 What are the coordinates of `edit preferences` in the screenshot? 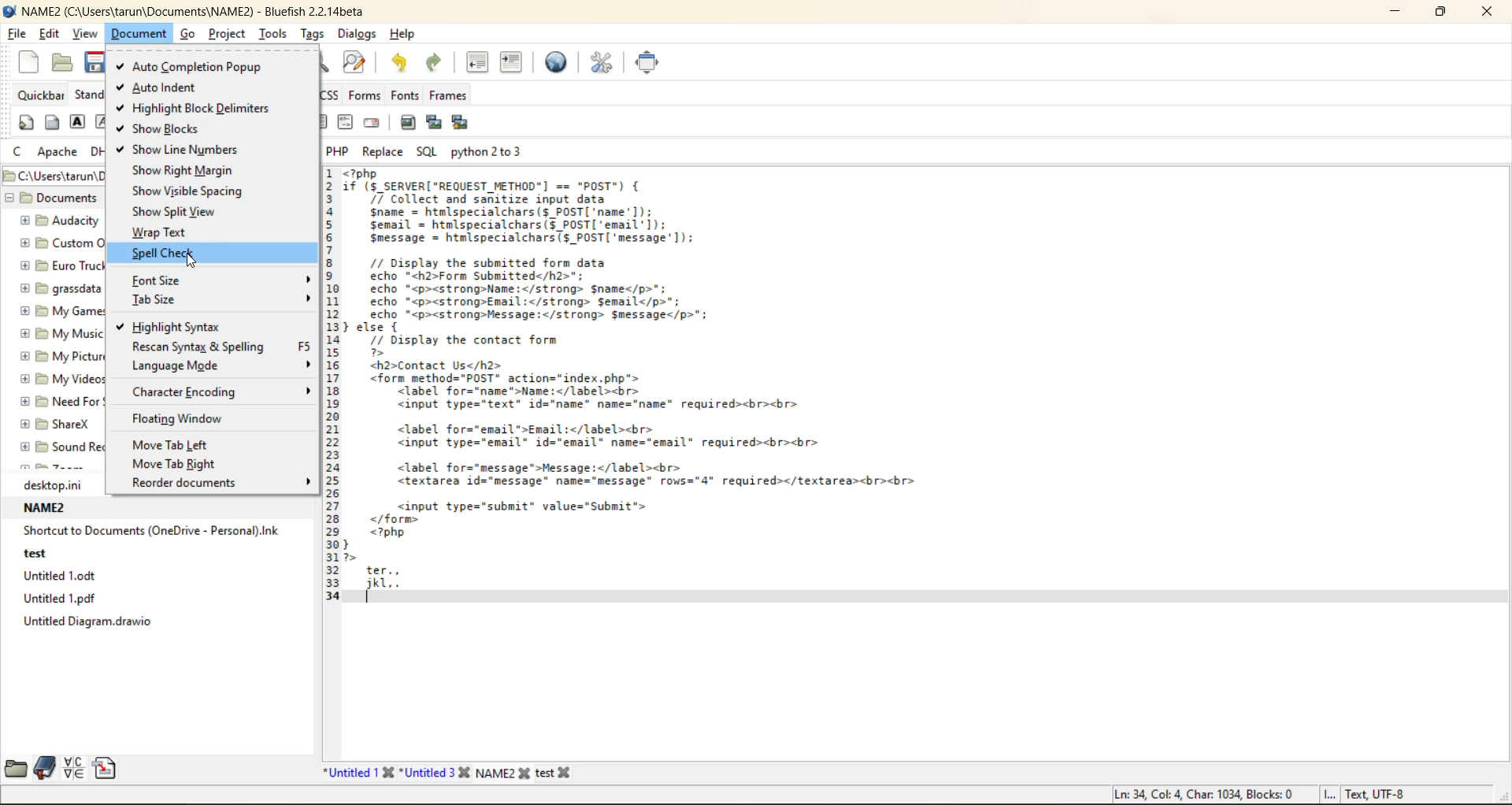 It's located at (596, 61).